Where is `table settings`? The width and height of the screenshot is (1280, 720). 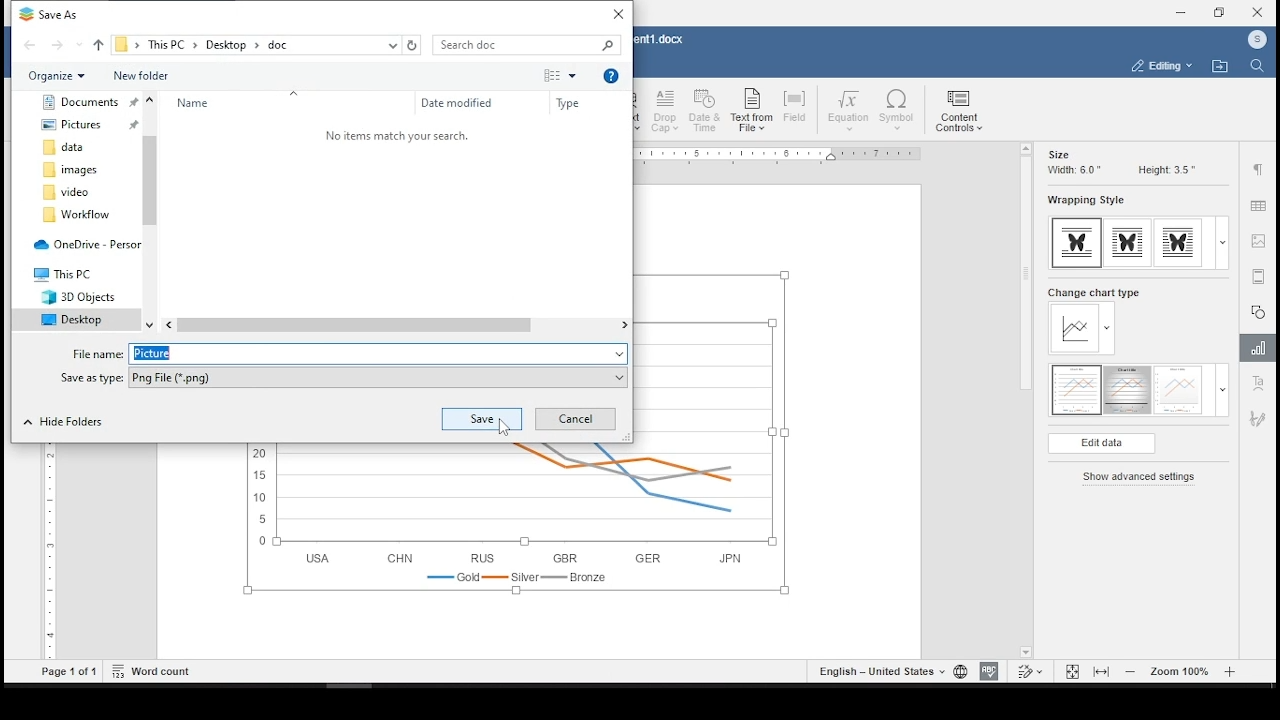
table settings is located at coordinates (1257, 207).